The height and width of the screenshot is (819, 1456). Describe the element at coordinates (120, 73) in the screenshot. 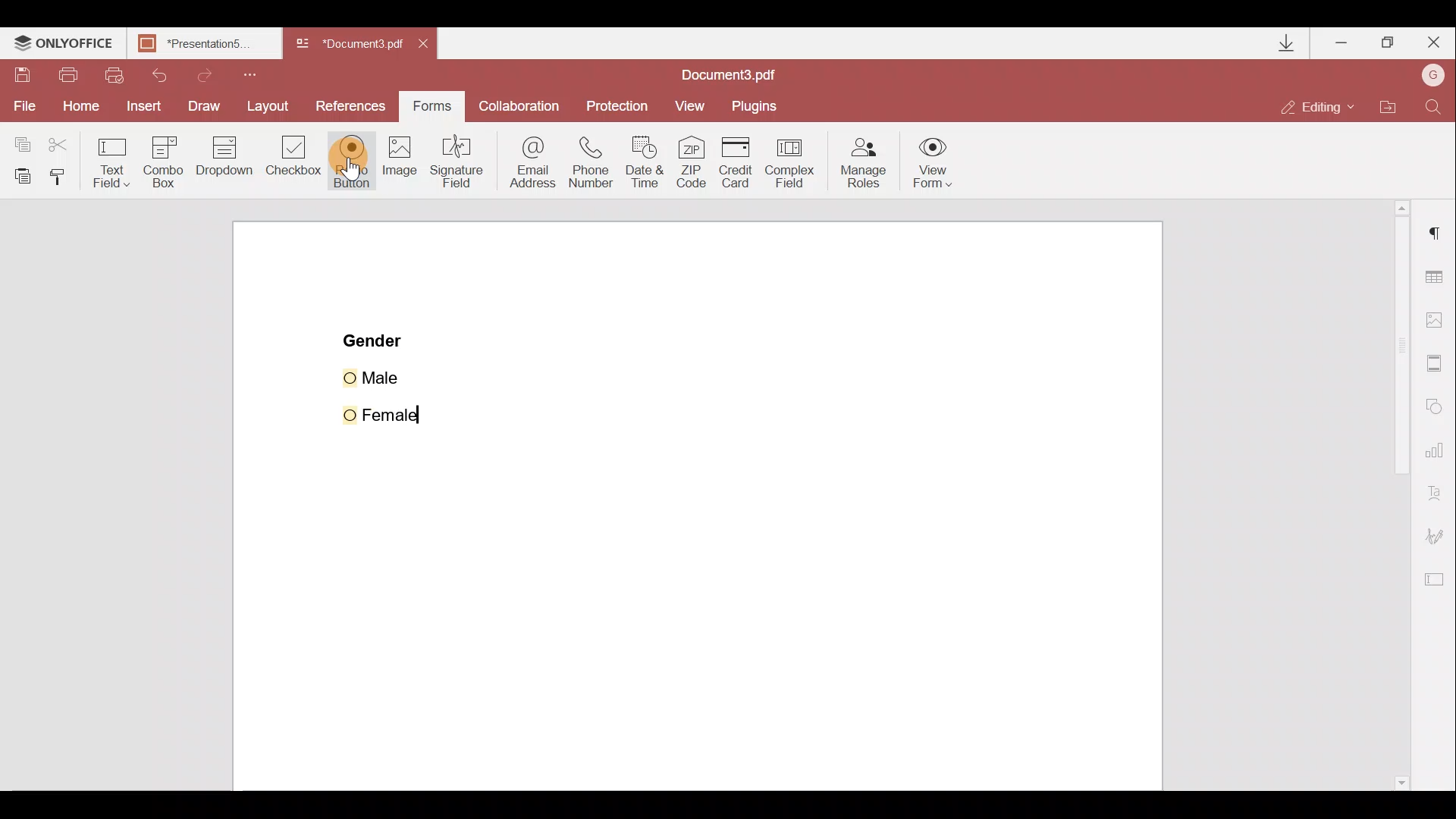

I see `Quick print` at that location.